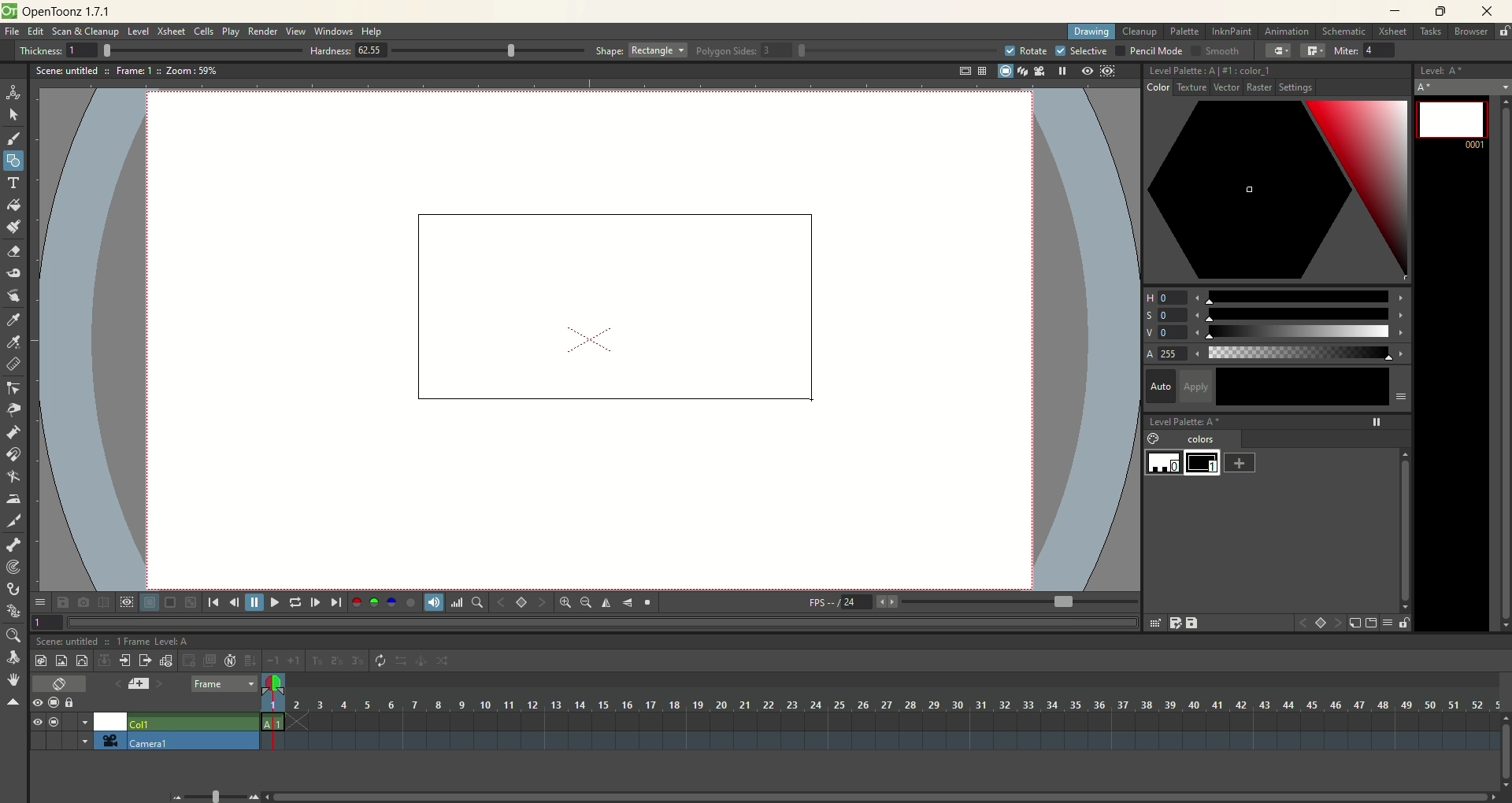  What do you see at coordinates (1313, 51) in the screenshot?
I see `join` at bounding box center [1313, 51].